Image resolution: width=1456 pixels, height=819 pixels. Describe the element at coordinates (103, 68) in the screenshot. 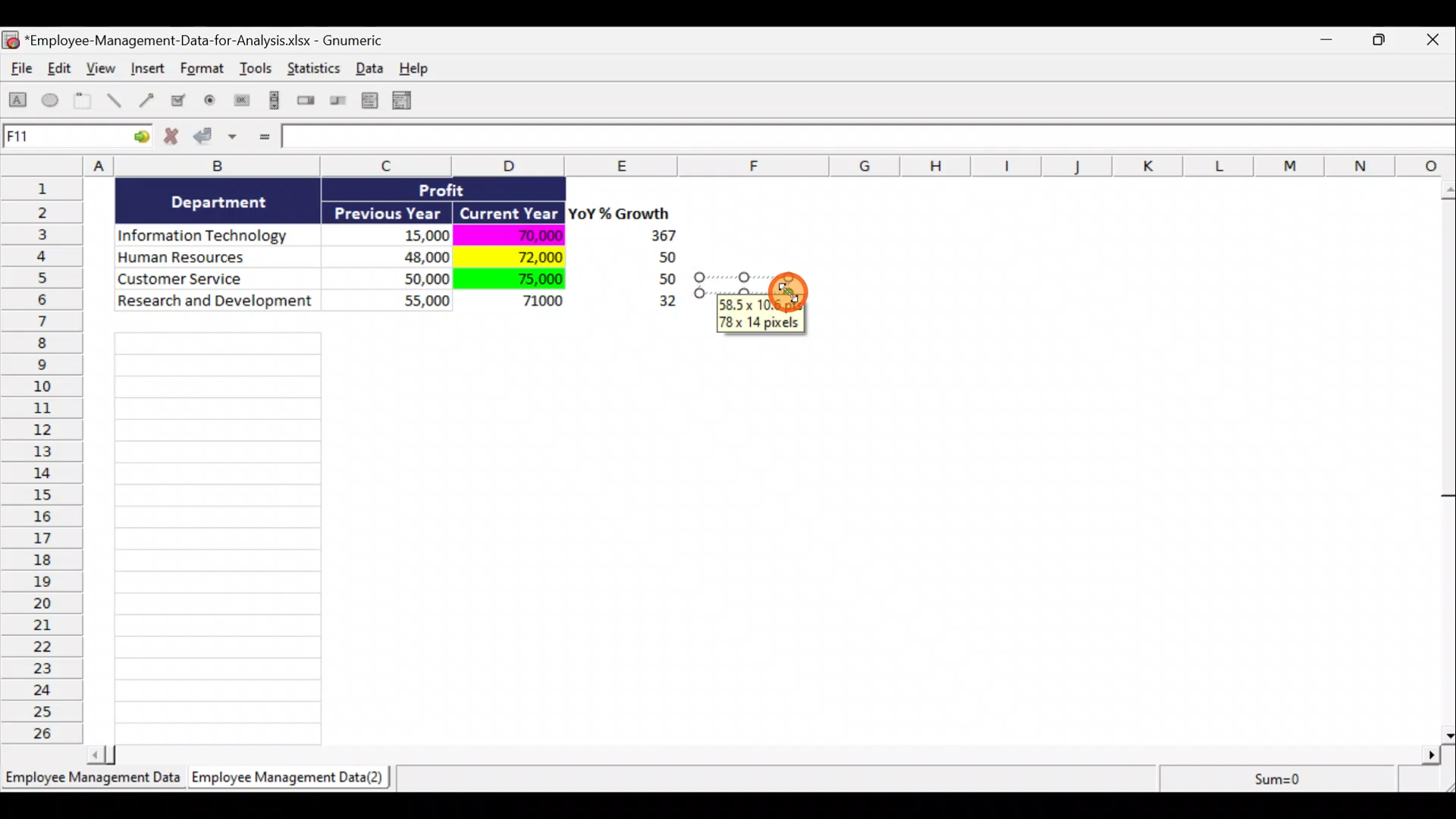

I see `View` at that location.